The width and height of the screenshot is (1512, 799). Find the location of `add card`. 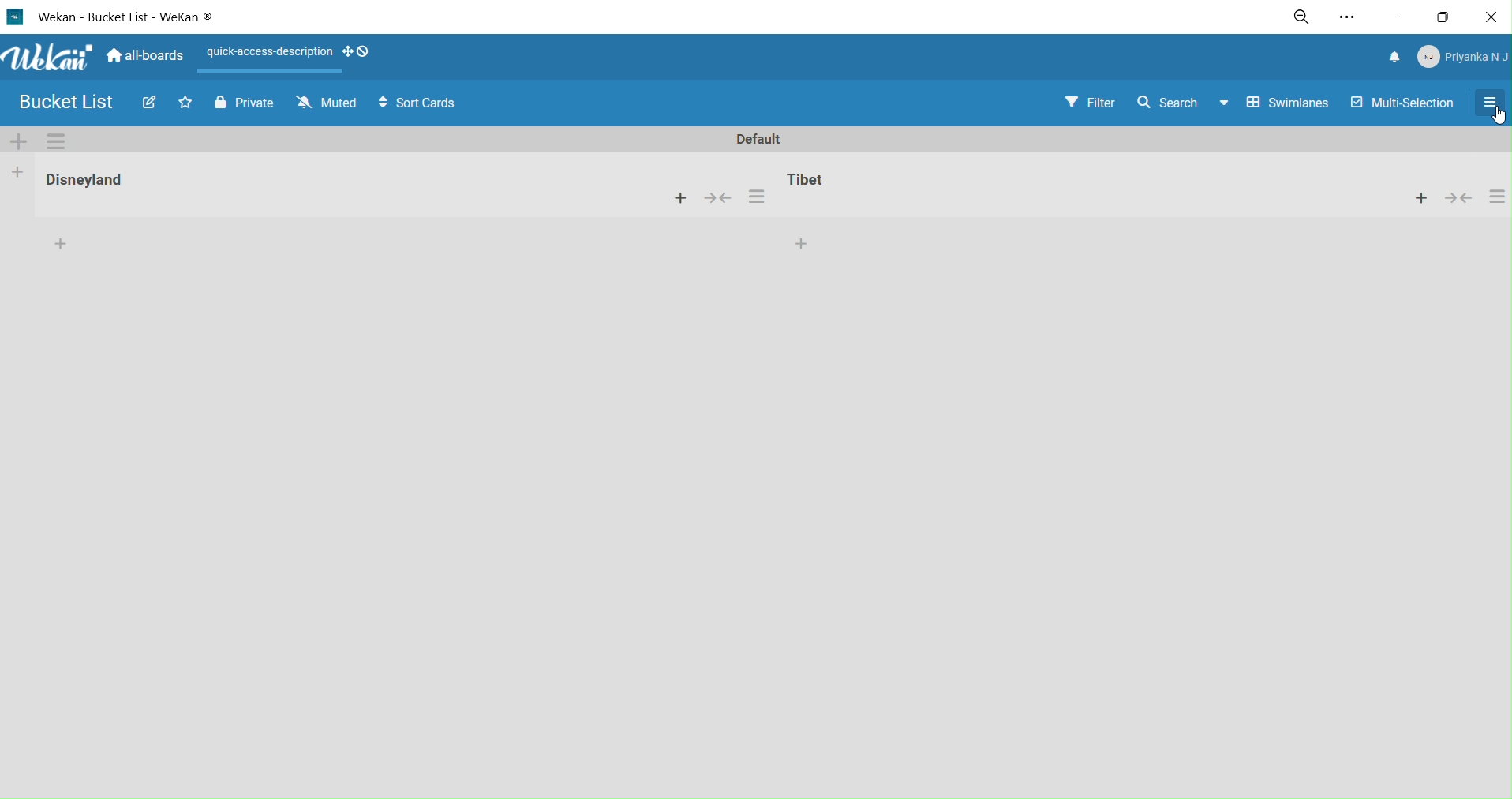

add card is located at coordinates (1420, 198).